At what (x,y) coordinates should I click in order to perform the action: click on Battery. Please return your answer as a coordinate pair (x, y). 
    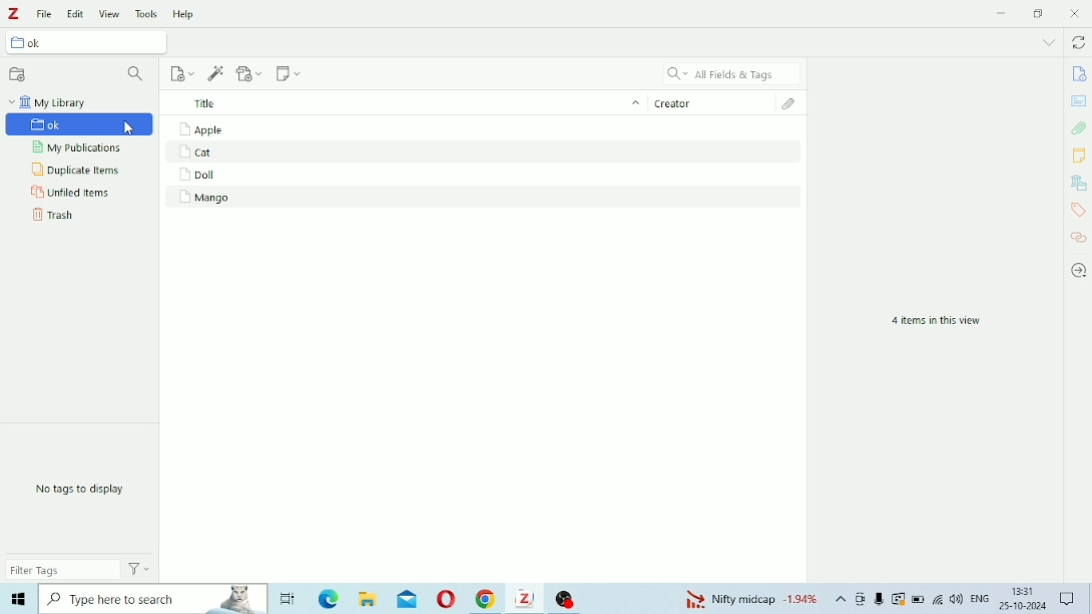
    Looking at the image, I should click on (918, 599).